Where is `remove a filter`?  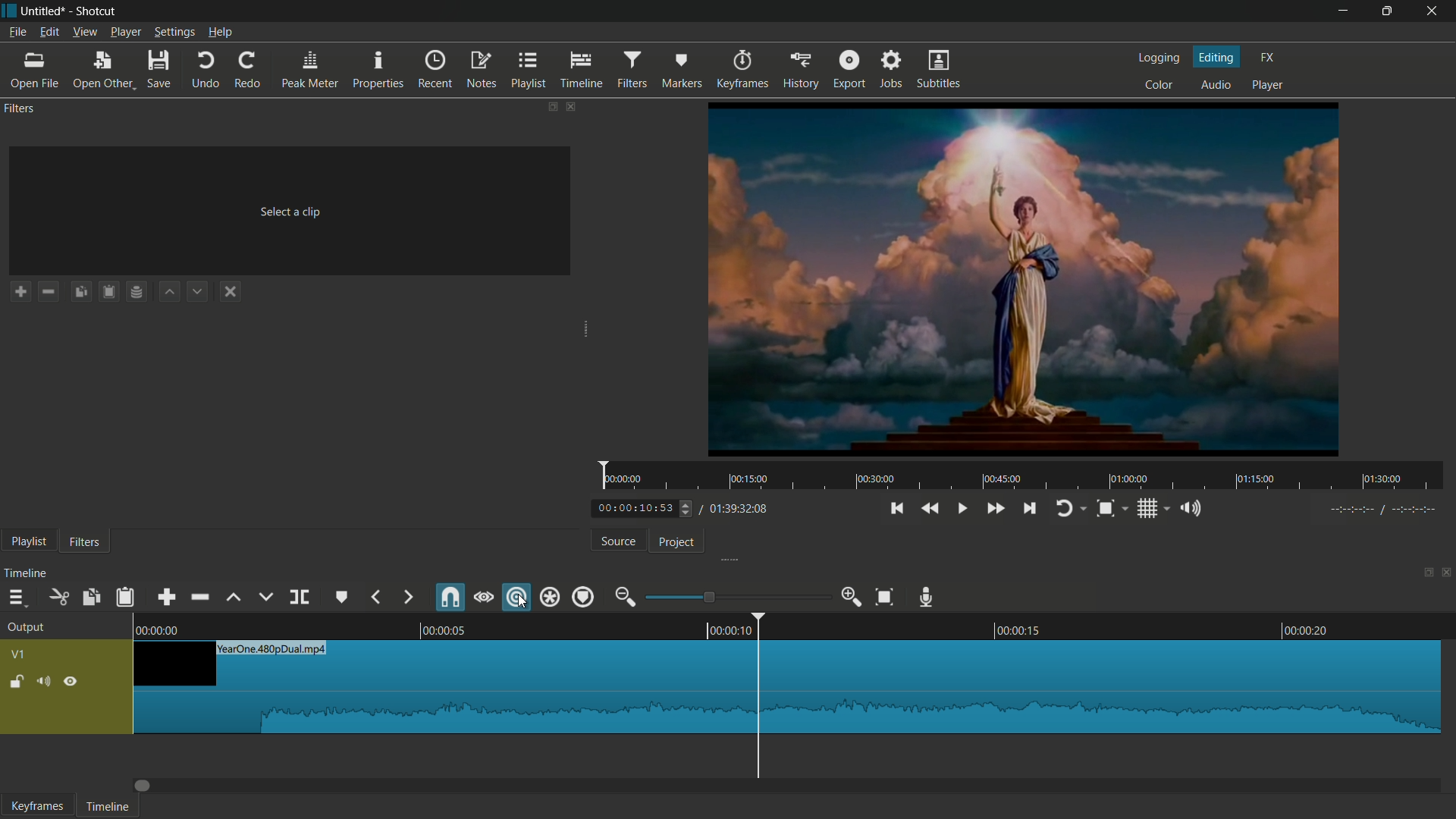
remove a filter is located at coordinates (49, 292).